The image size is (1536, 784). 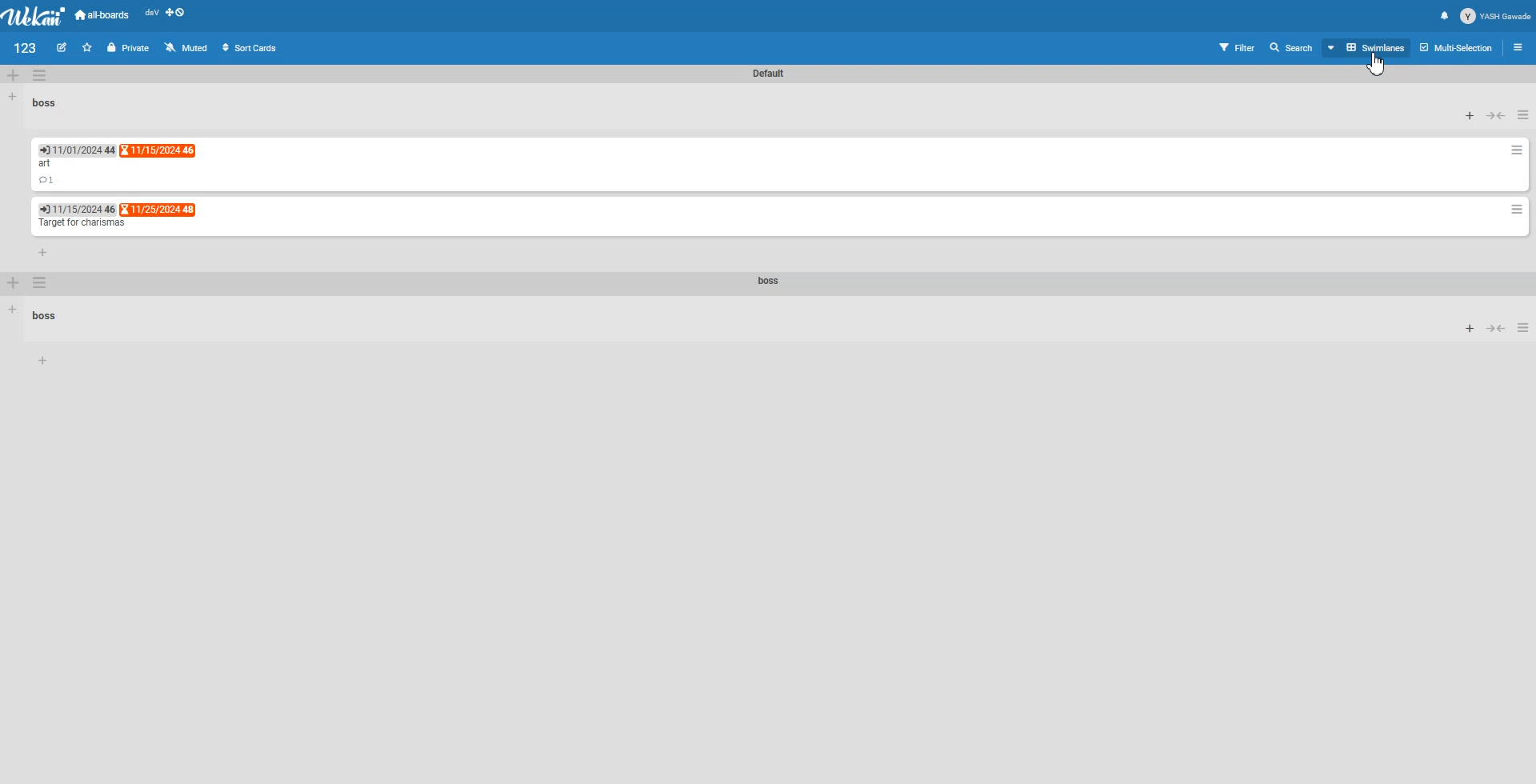 What do you see at coordinates (1367, 48) in the screenshot?
I see `Board View` at bounding box center [1367, 48].